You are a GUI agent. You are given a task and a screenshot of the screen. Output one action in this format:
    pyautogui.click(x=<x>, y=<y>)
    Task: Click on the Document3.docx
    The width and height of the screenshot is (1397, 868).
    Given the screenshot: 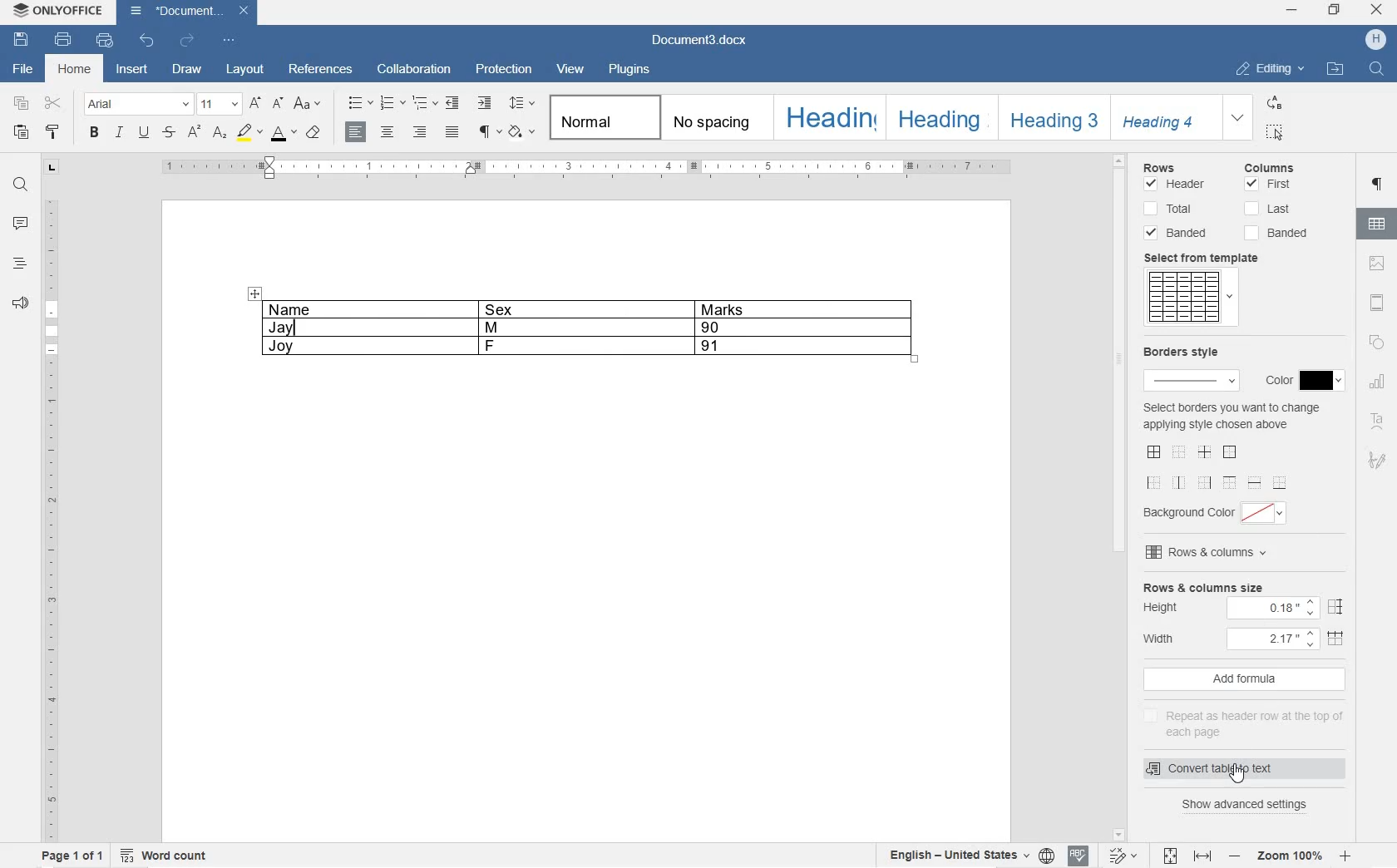 What is the action you would take?
    pyautogui.click(x=705, y=39)
    